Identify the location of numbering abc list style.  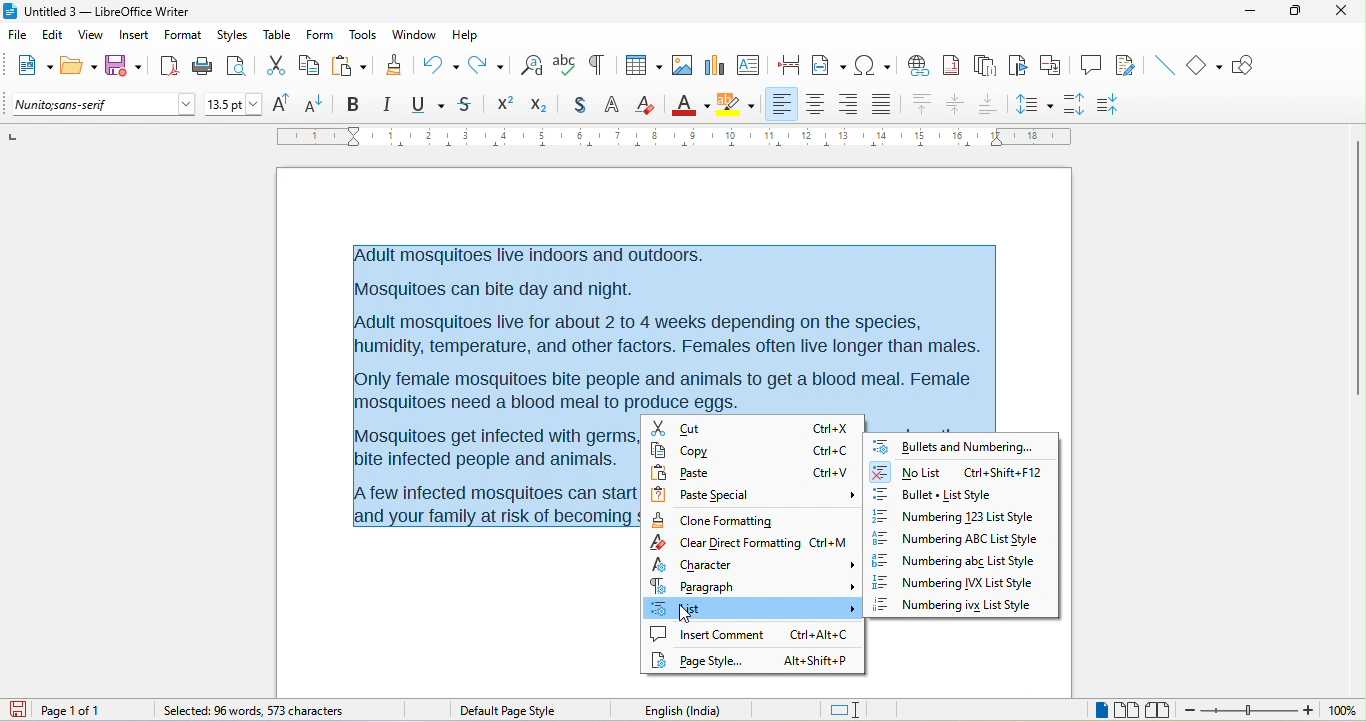
(969, 562).